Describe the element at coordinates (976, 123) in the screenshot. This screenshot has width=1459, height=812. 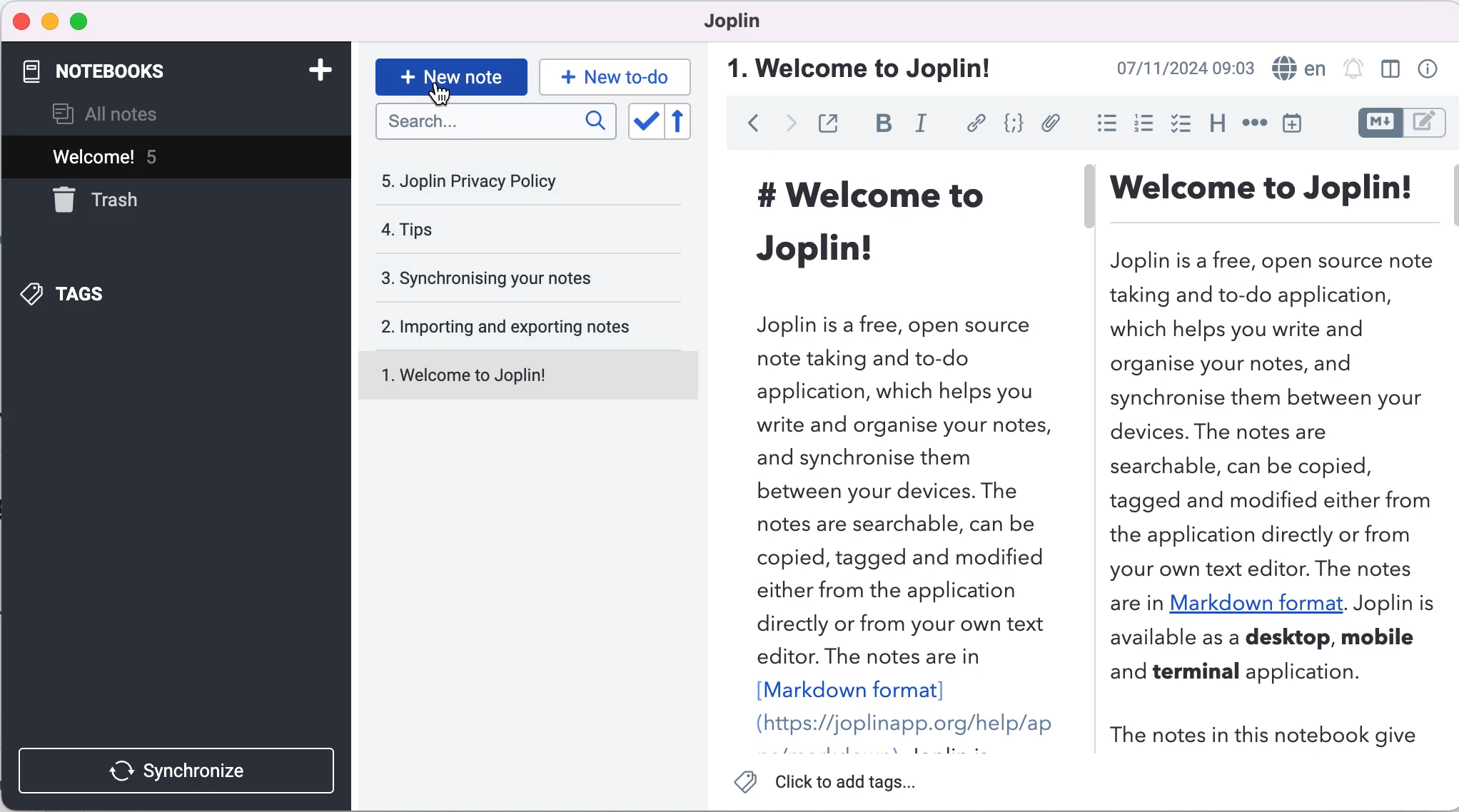
I see `hyperlink` at that location.